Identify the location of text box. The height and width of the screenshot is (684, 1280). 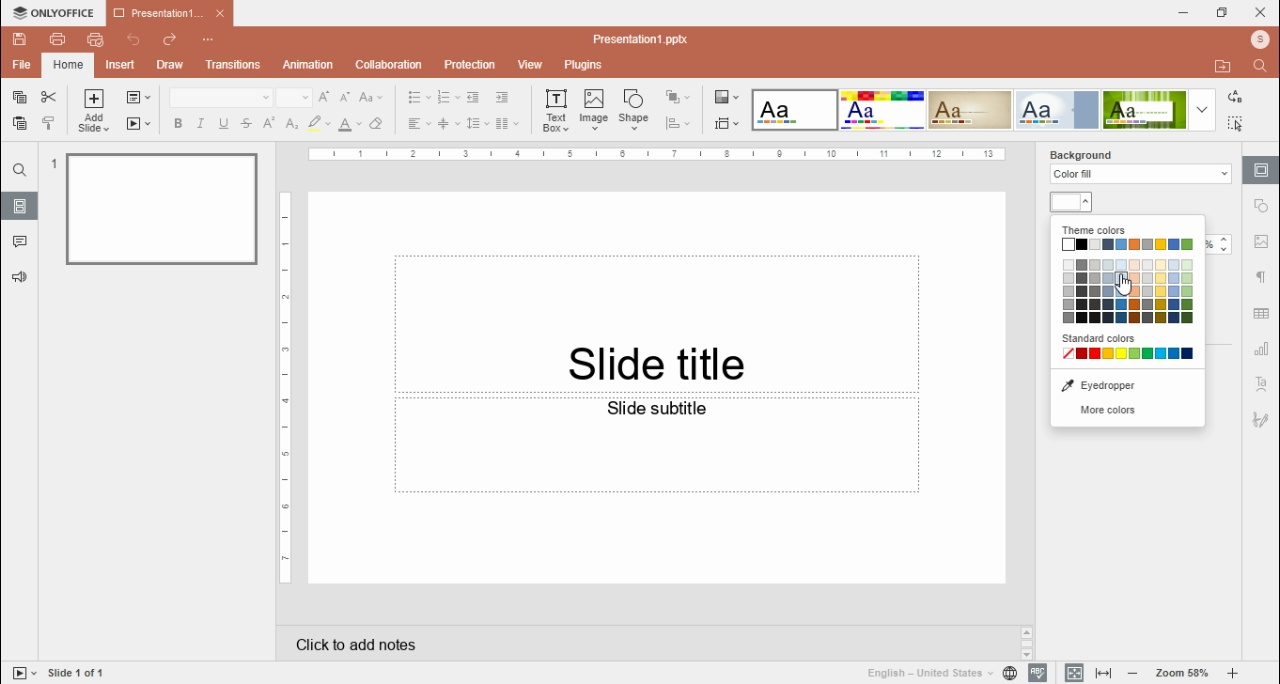
(556, 112).